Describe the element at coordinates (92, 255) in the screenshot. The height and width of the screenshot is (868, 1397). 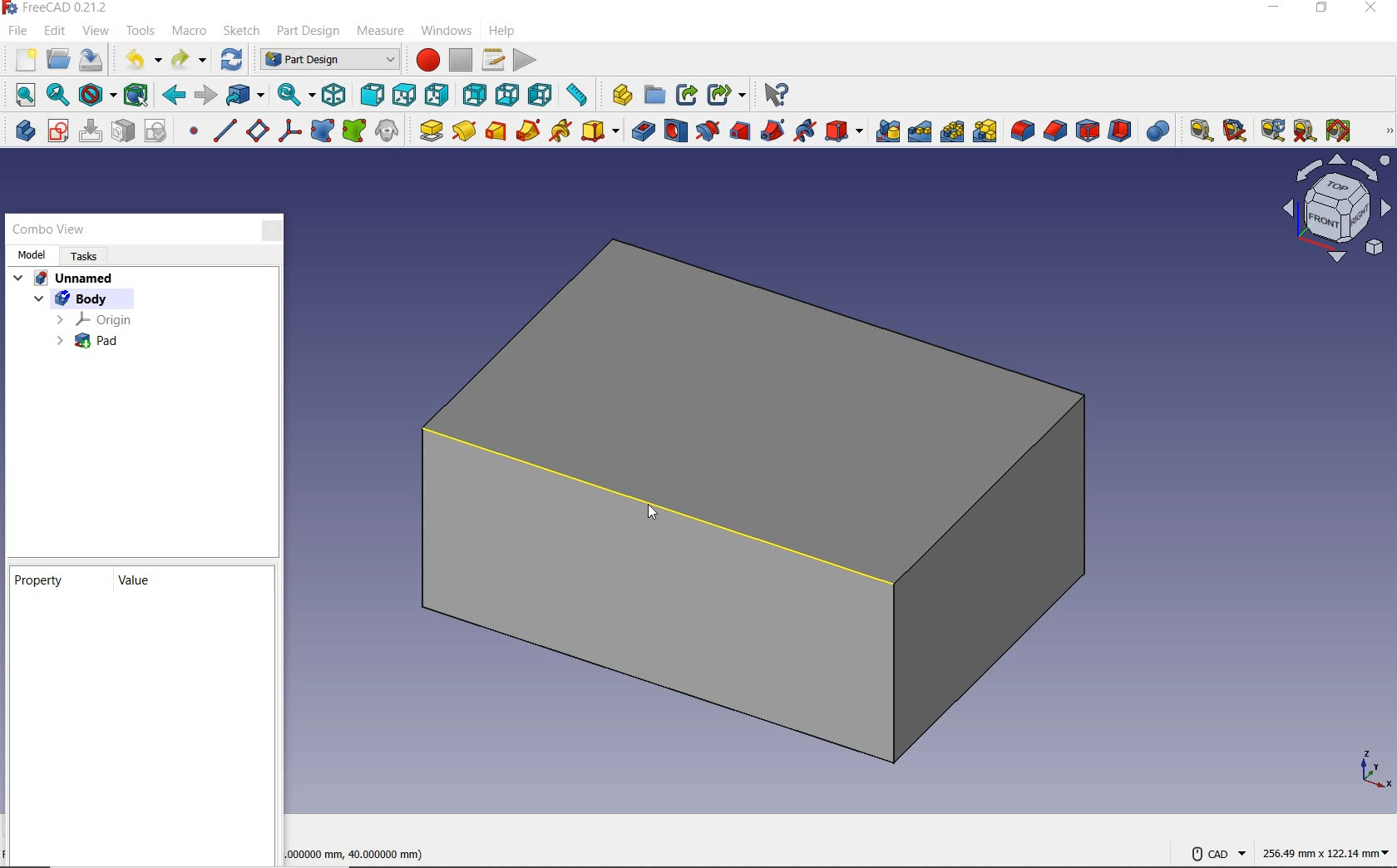
I see `tasks` at that location.